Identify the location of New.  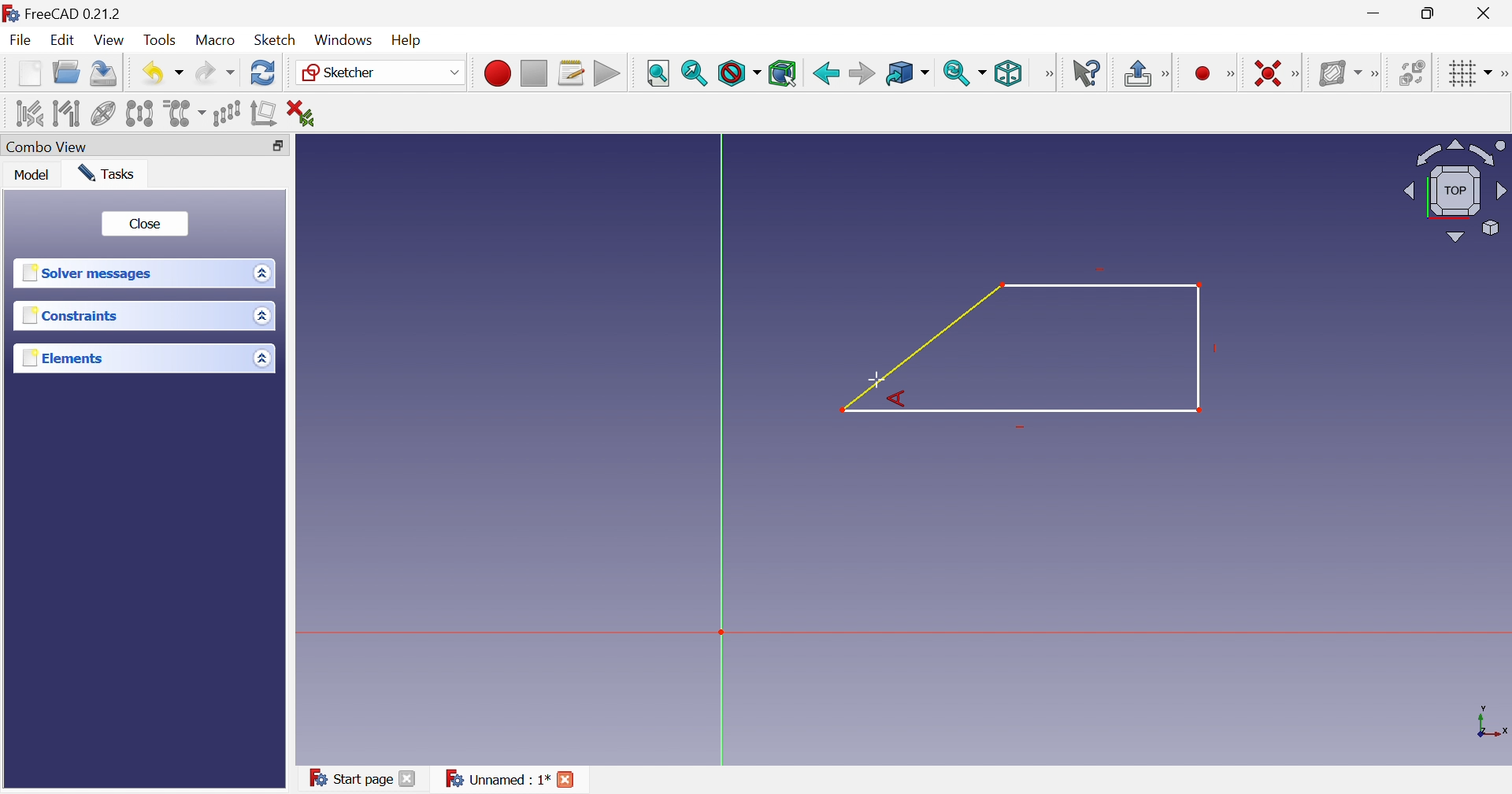
(29, 77).